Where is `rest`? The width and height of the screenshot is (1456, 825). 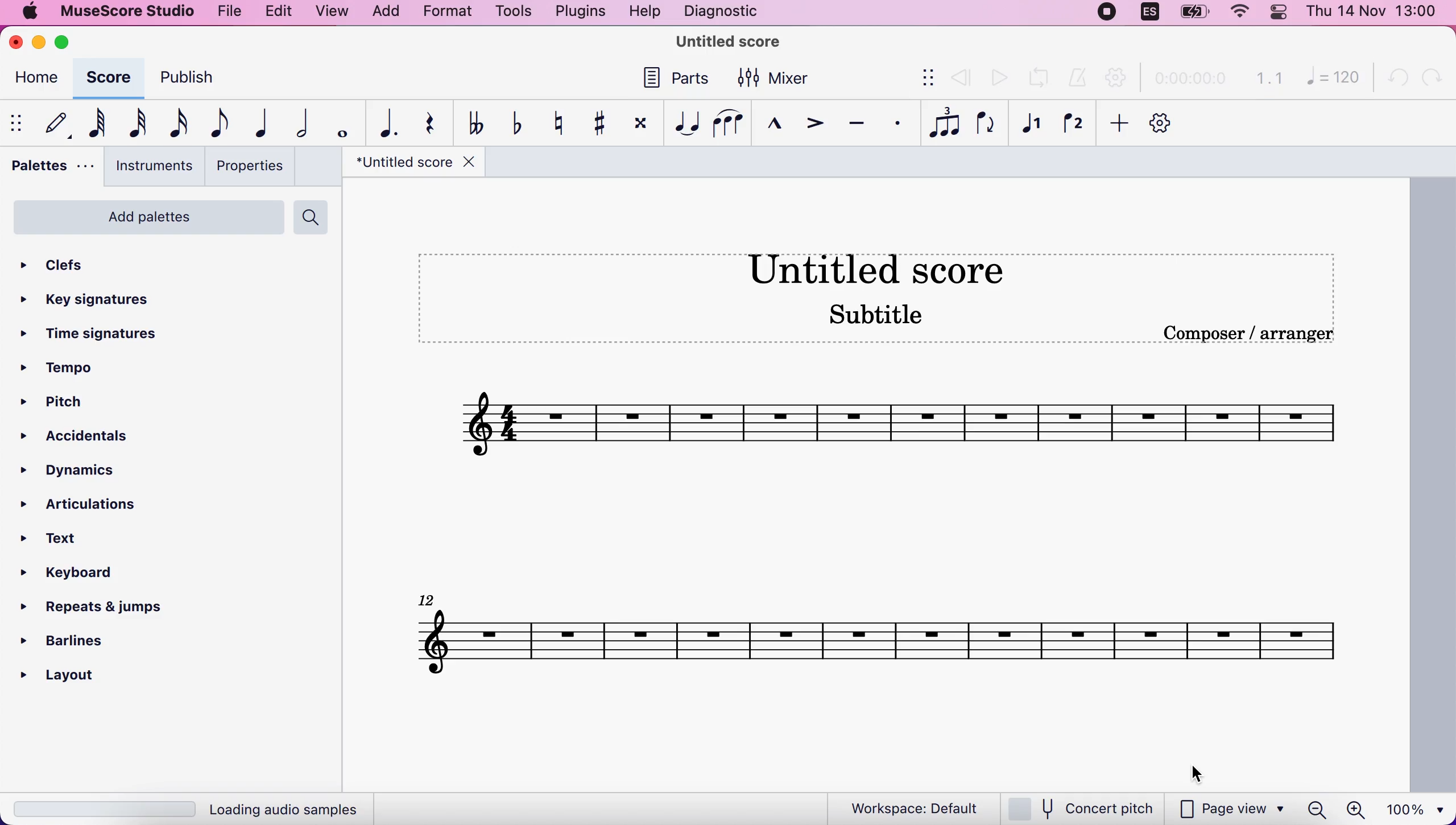
rest is located at coordinates (426, 124).